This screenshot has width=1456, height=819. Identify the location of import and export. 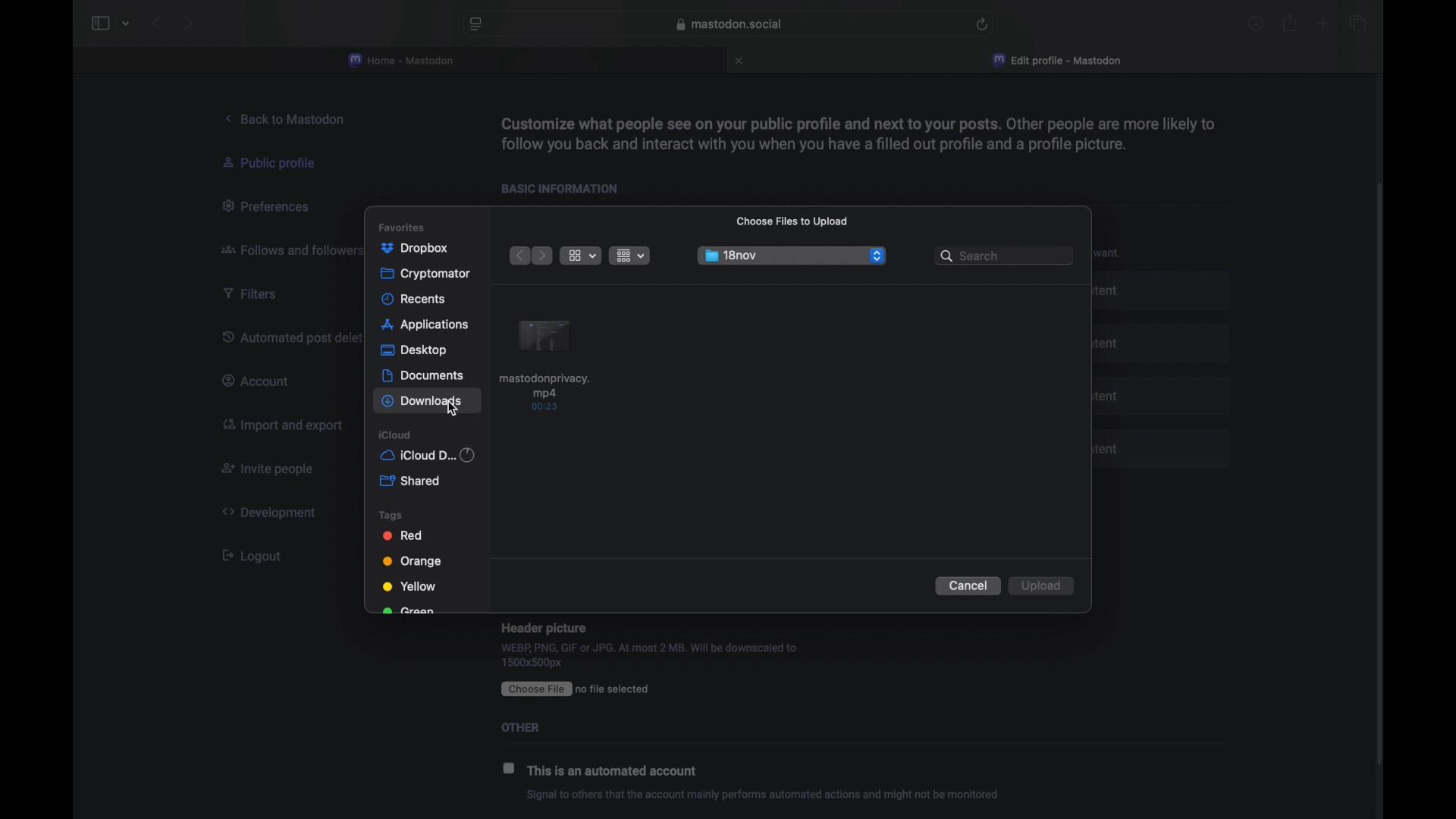
(281, 427).